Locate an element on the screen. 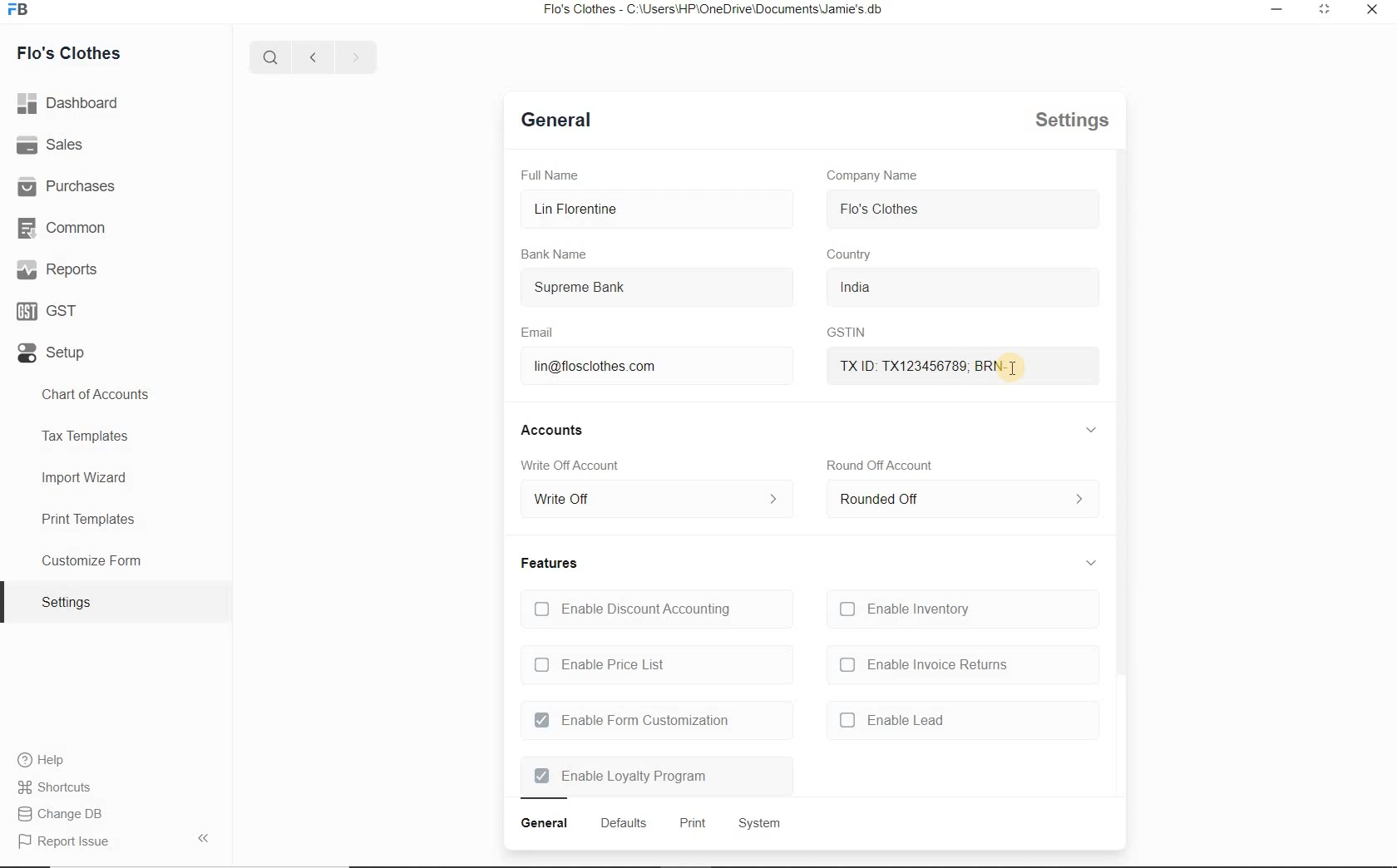 The height and width of the screenshot is (868, 1397). Enable Inventory is located at coordinates (910, 609).